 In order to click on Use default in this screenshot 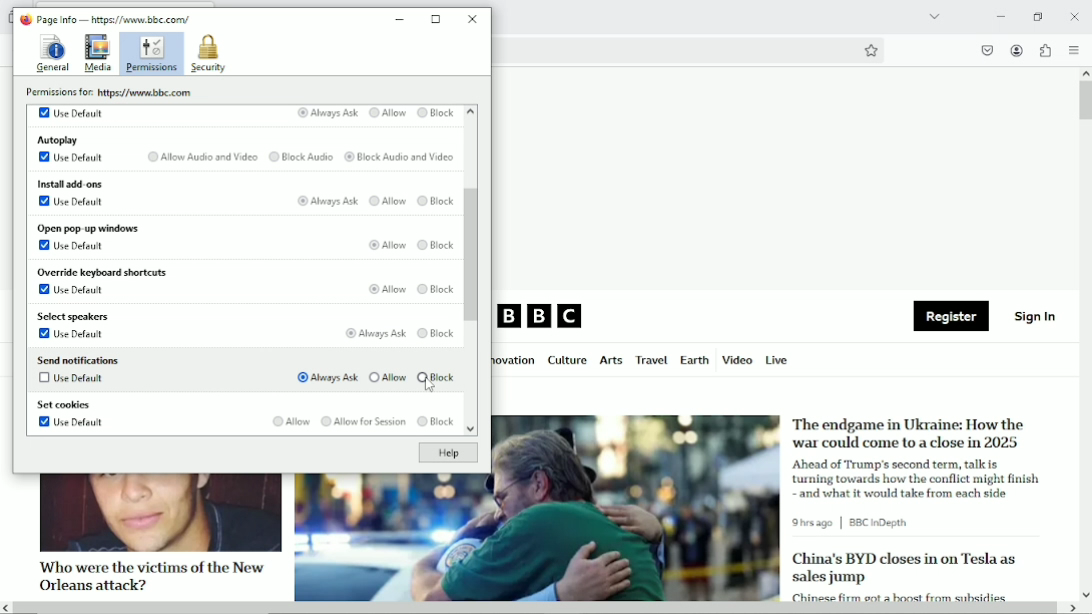, I will do `click(71, 112)`.